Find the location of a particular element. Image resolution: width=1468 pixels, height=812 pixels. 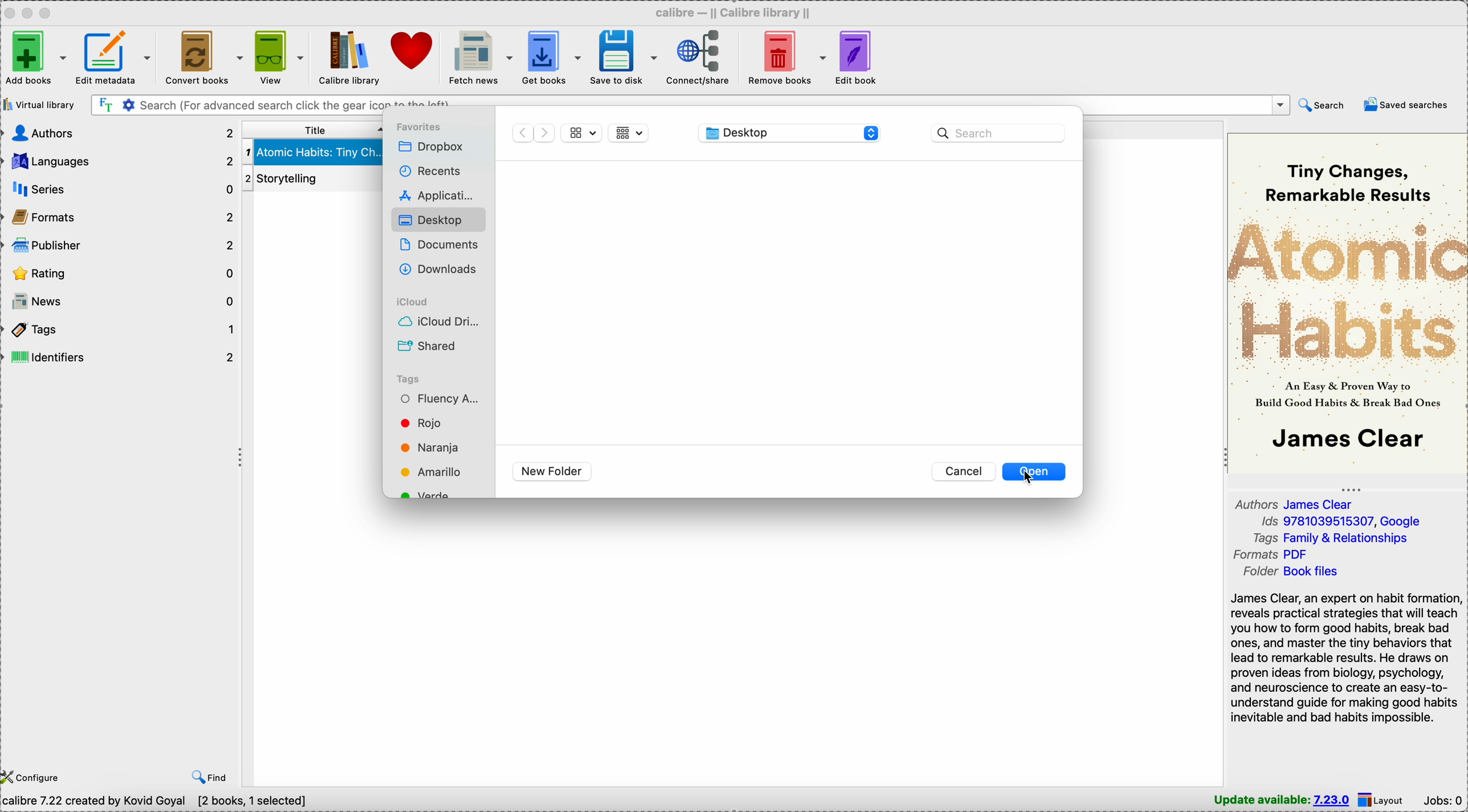

maximize Calibre is located at coordinates (48, 11).